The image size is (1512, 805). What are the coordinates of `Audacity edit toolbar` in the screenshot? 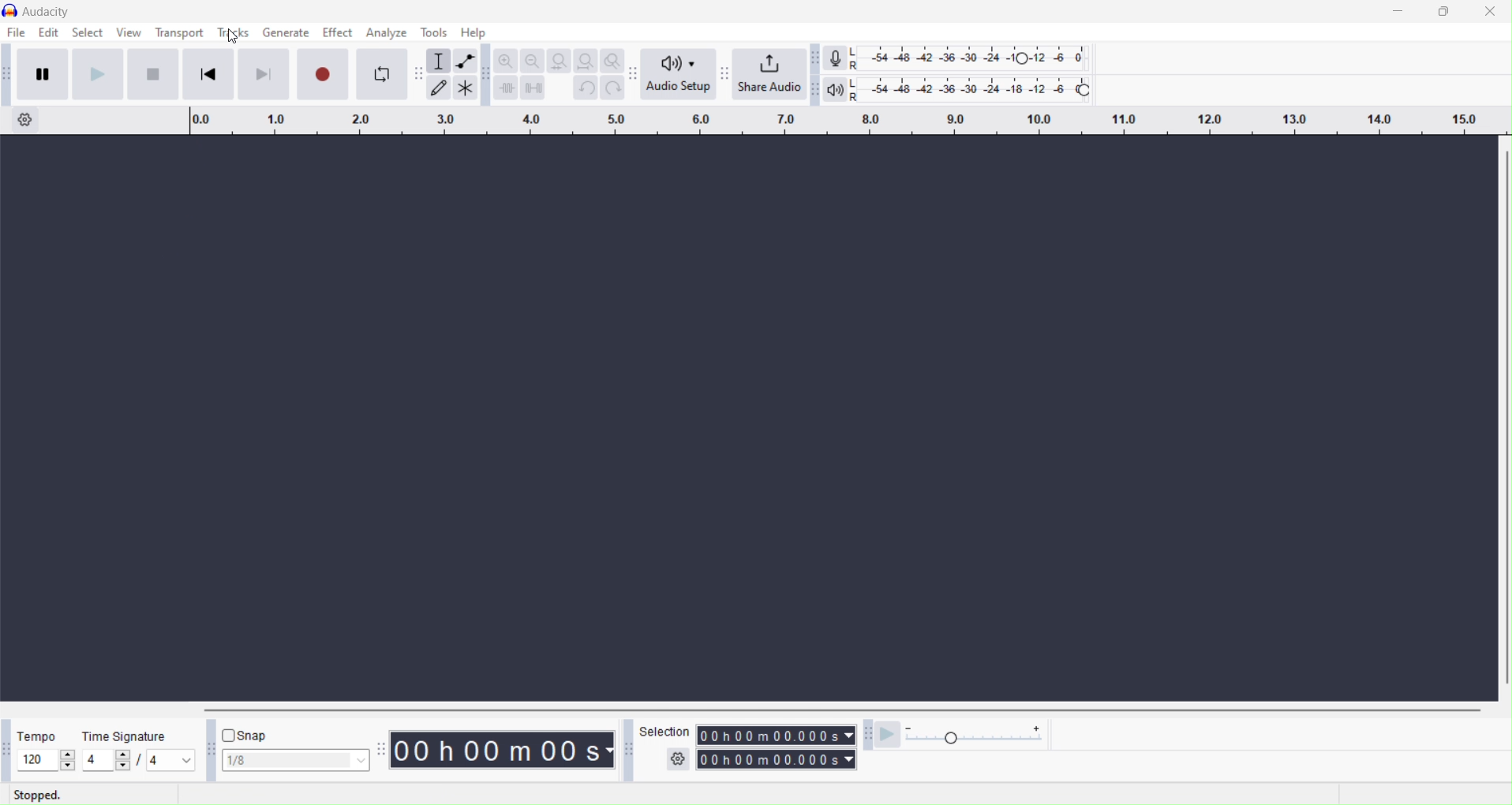 It's located at (485, 72).